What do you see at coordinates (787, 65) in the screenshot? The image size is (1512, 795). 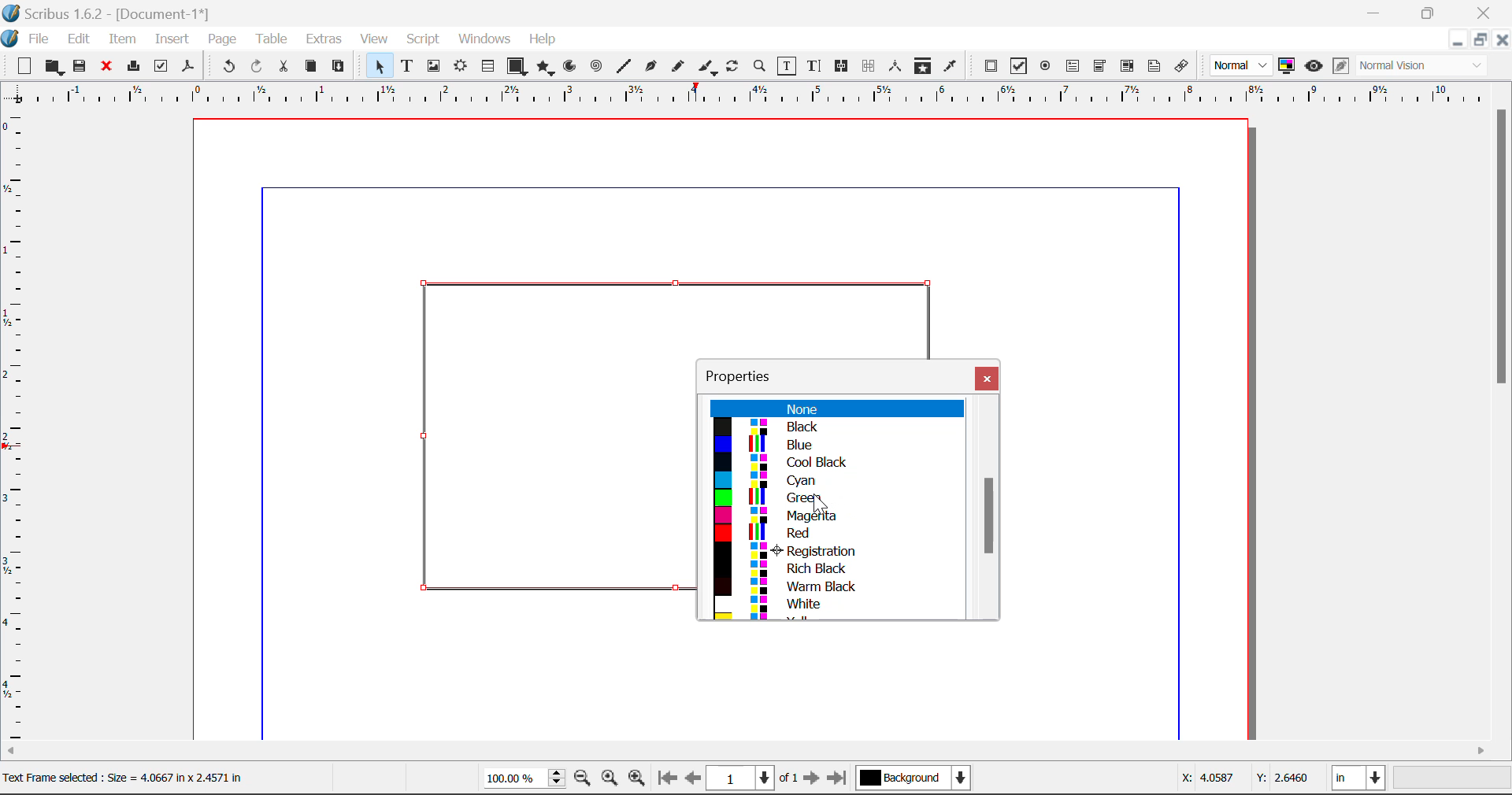 I see `Edit Contents of Frame` at bounding box center [787, 65].